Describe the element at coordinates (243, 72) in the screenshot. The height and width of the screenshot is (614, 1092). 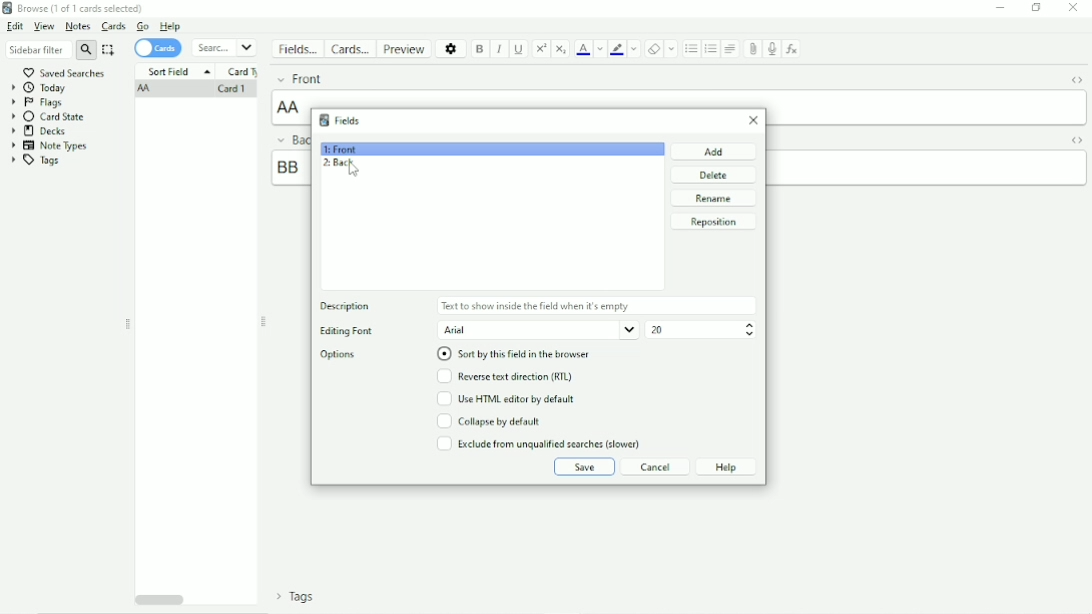
I see `Card Type` at that location.